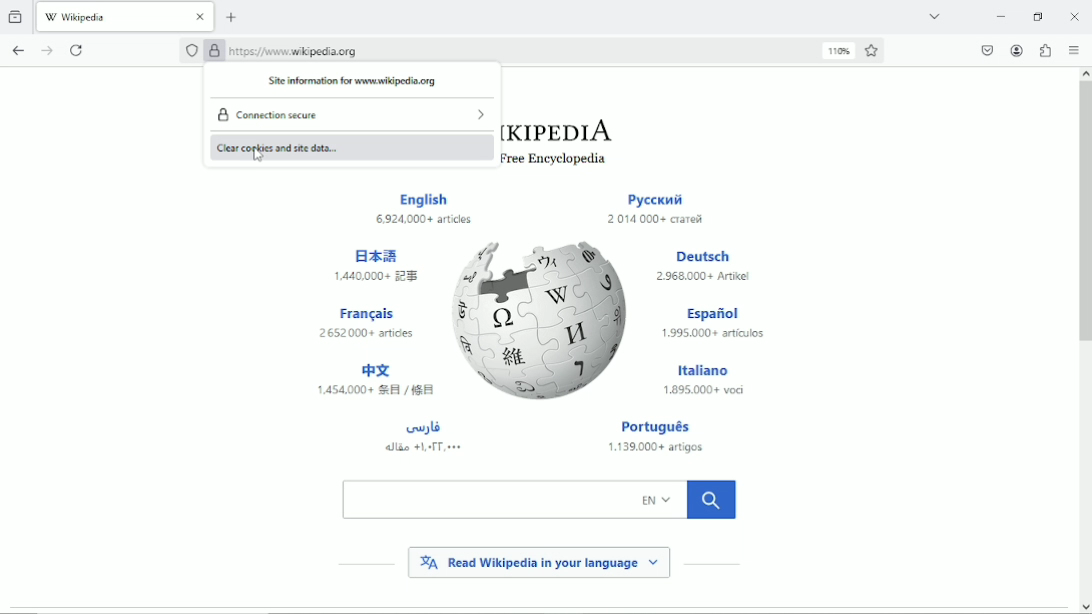 This screenshot has height=614, width=1092. I want to click on open application menu, so click(1073, 50).